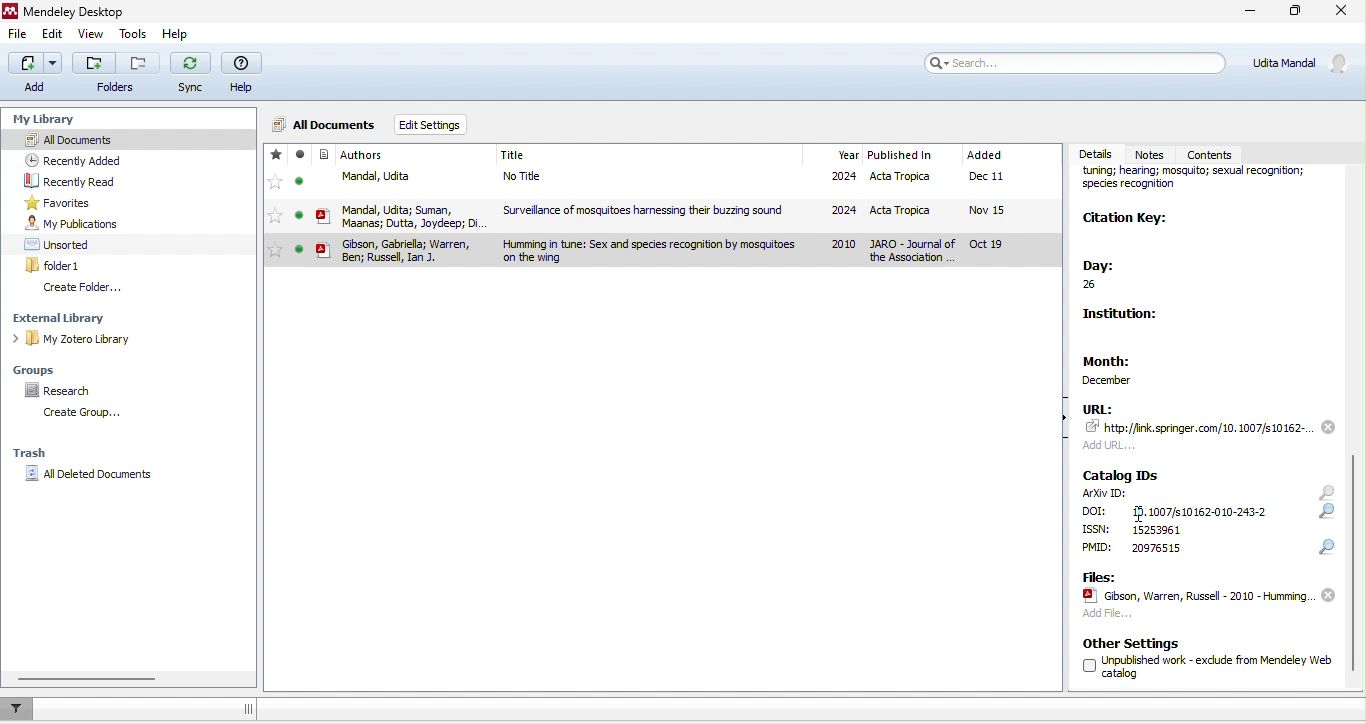  Describe the element at coordinates (1327, 520) in the screenshot. I see `icons` at that location.